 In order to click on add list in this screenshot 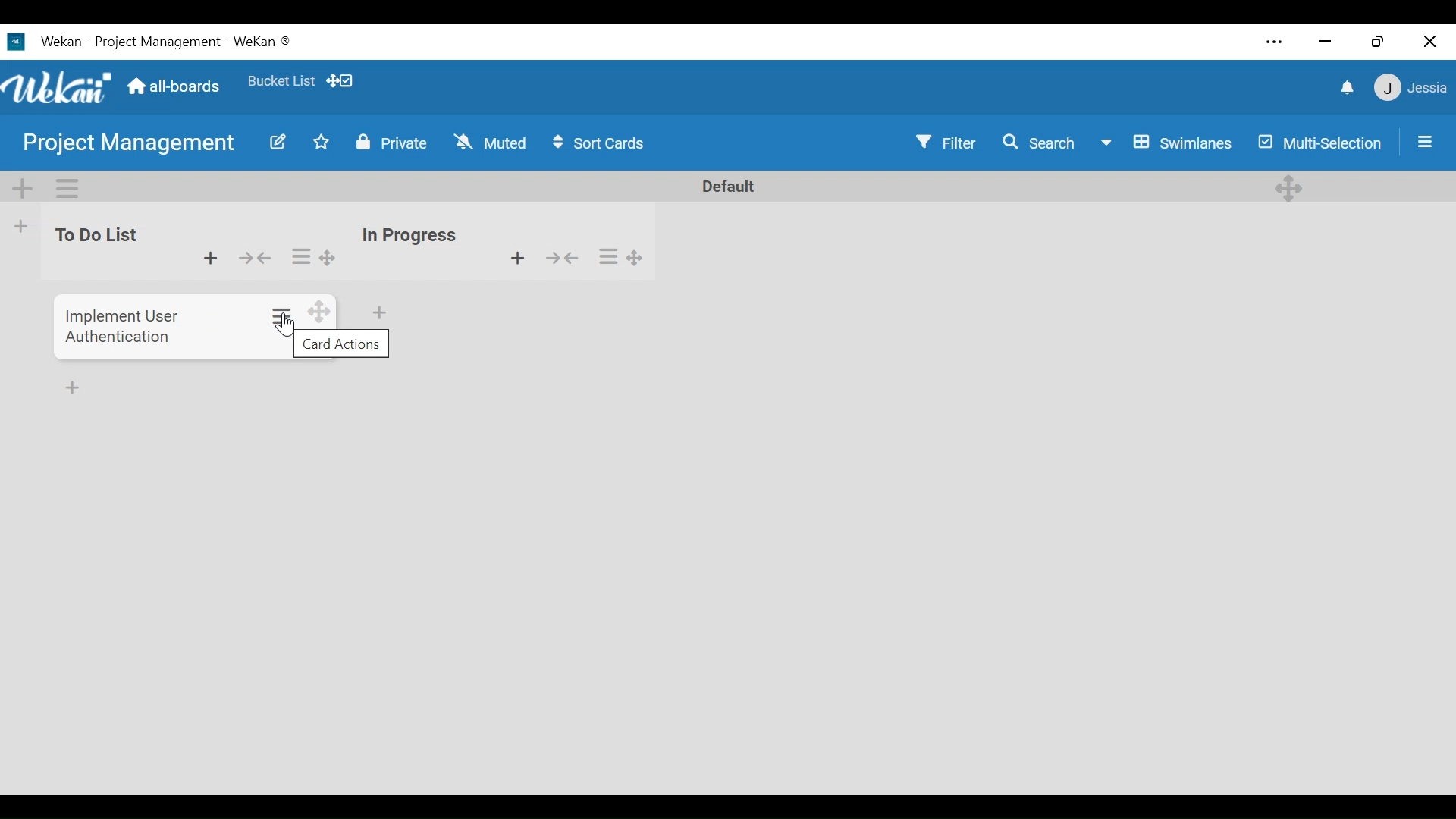, I will do `click(21, 229)`.